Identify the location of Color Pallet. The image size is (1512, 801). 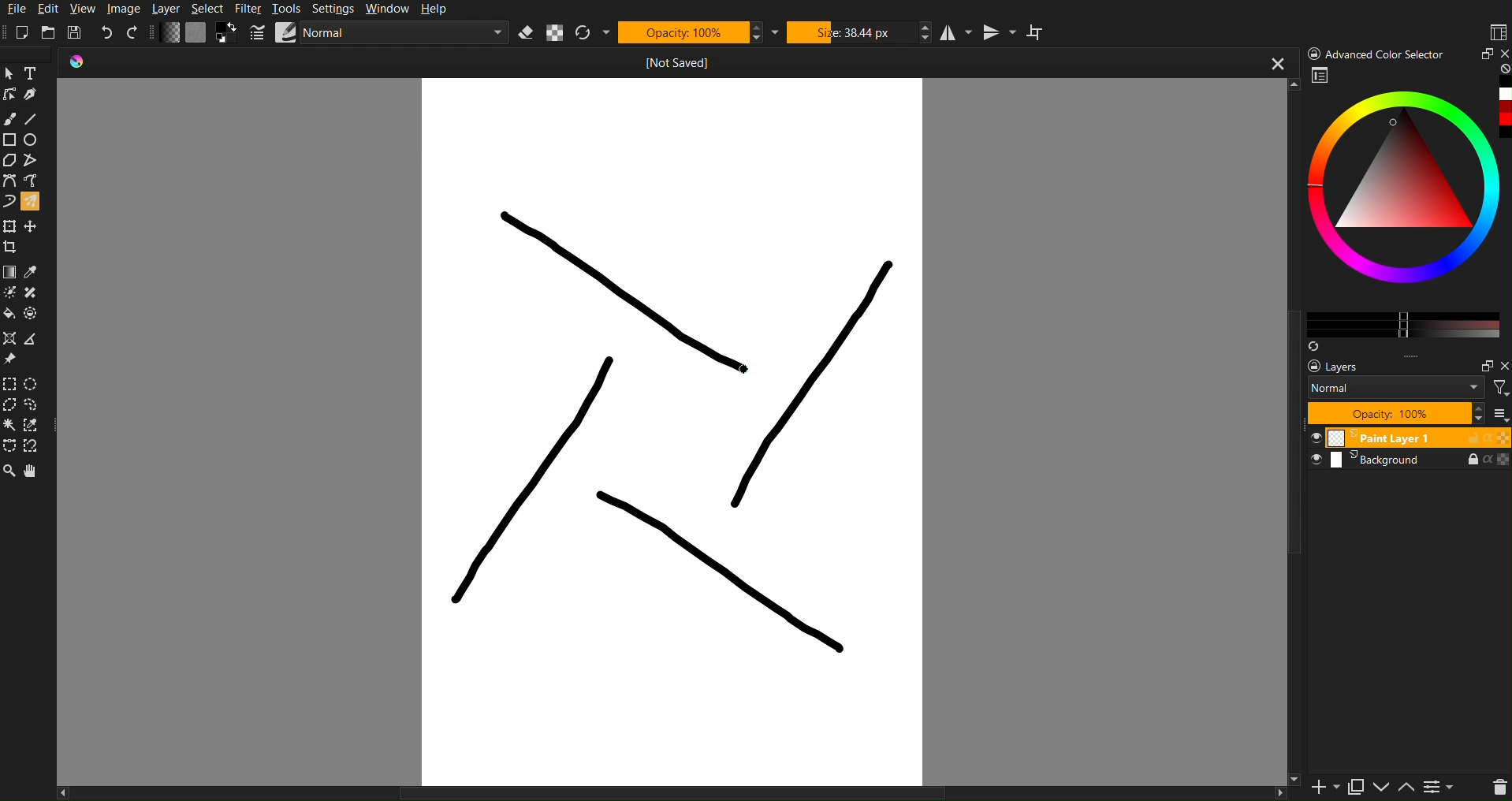
(35, 317).